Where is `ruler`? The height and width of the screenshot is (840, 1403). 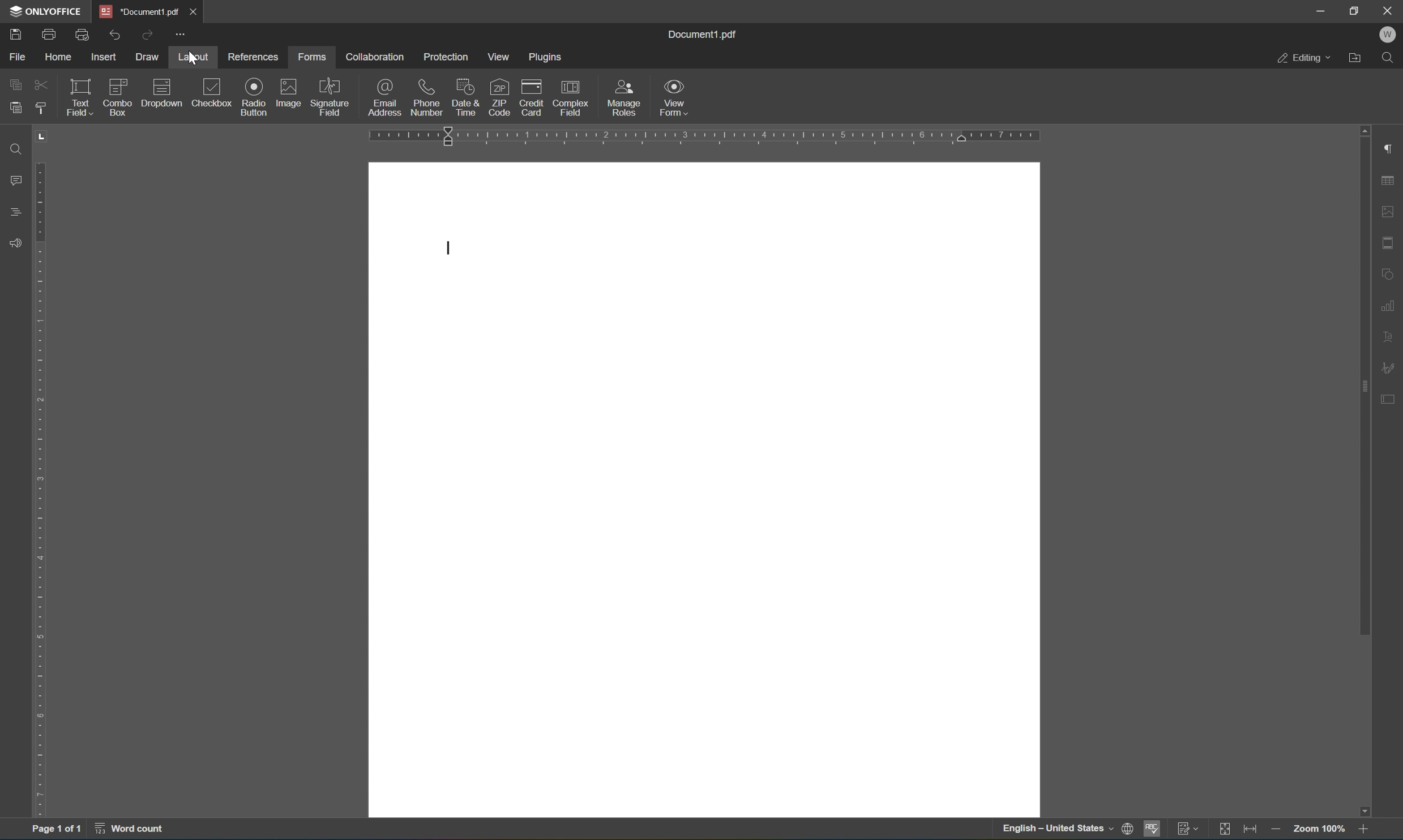
ruler is located at coordinates (42, 474).